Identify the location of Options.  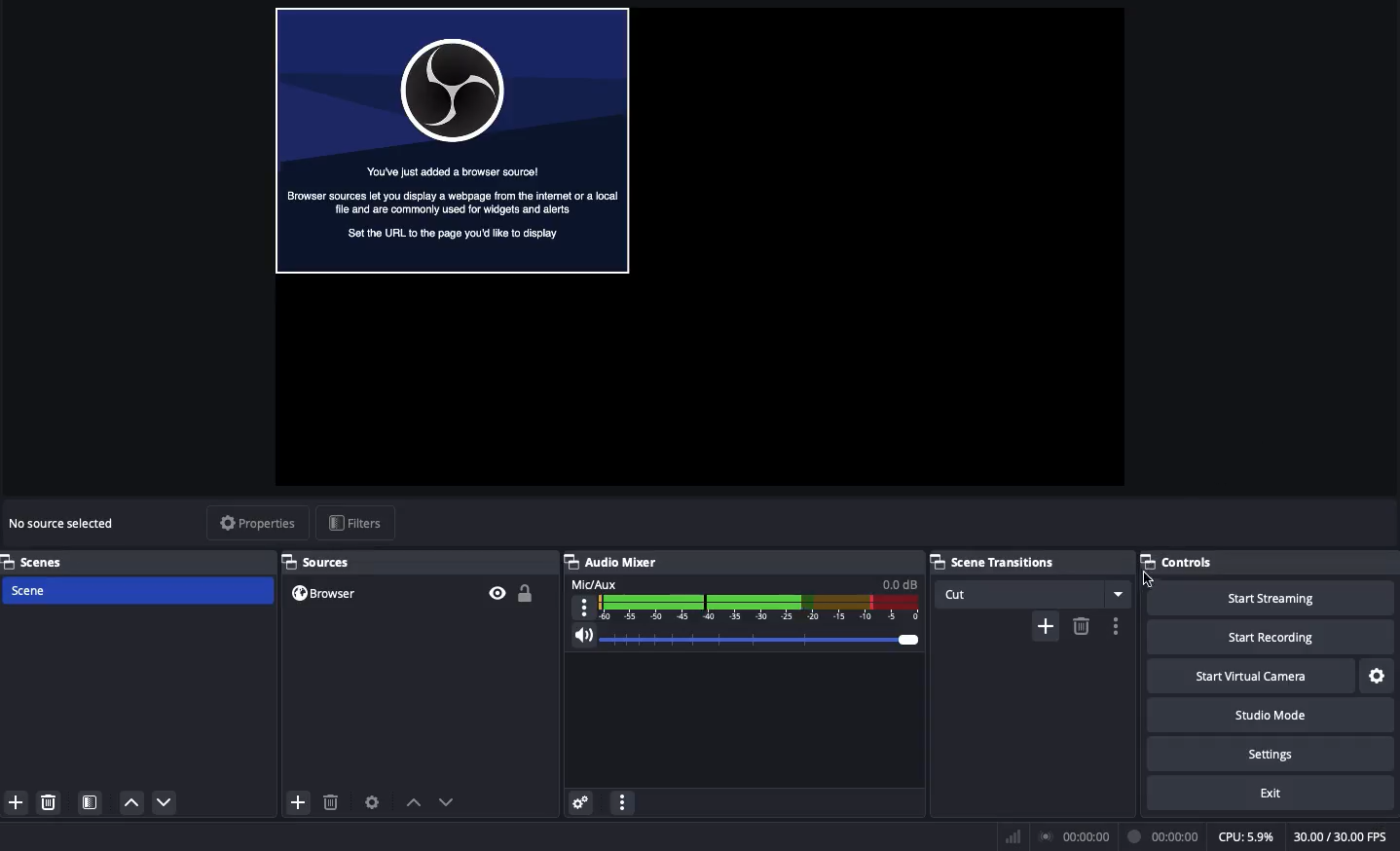
(623, 803).